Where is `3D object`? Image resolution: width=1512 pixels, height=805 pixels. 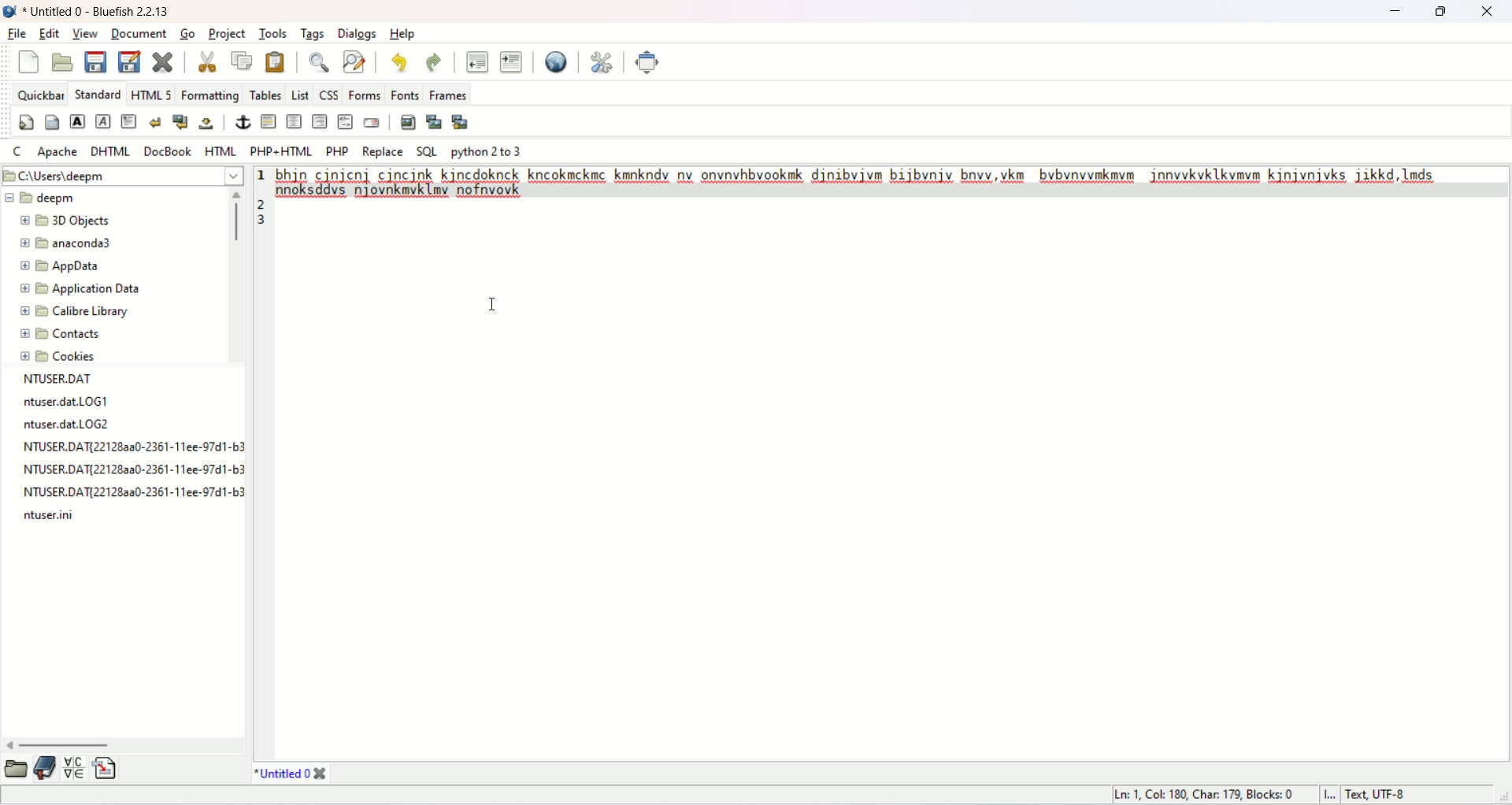 3D object is located at coordinates (69, 220).